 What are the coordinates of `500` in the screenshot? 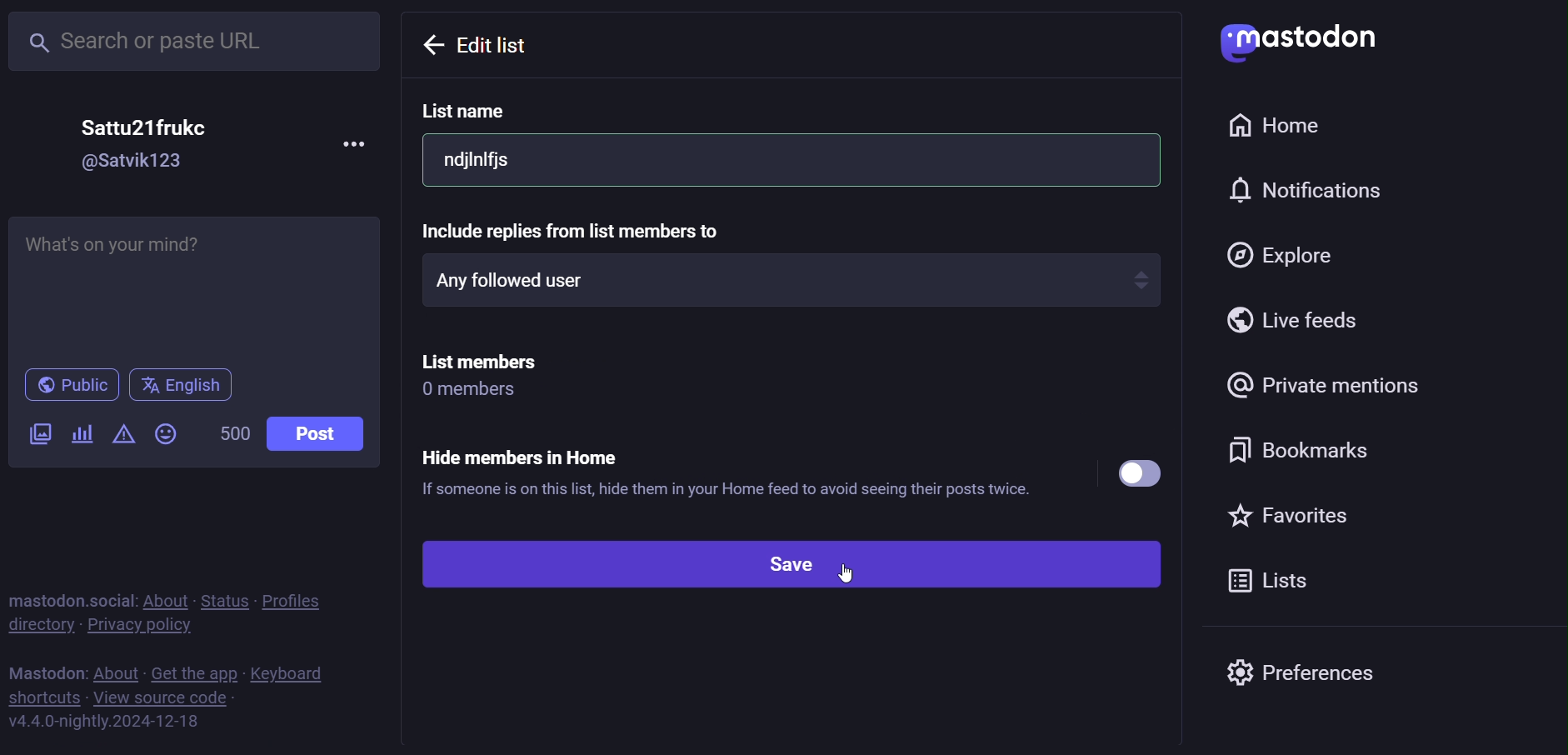 It's located at (235, 434).